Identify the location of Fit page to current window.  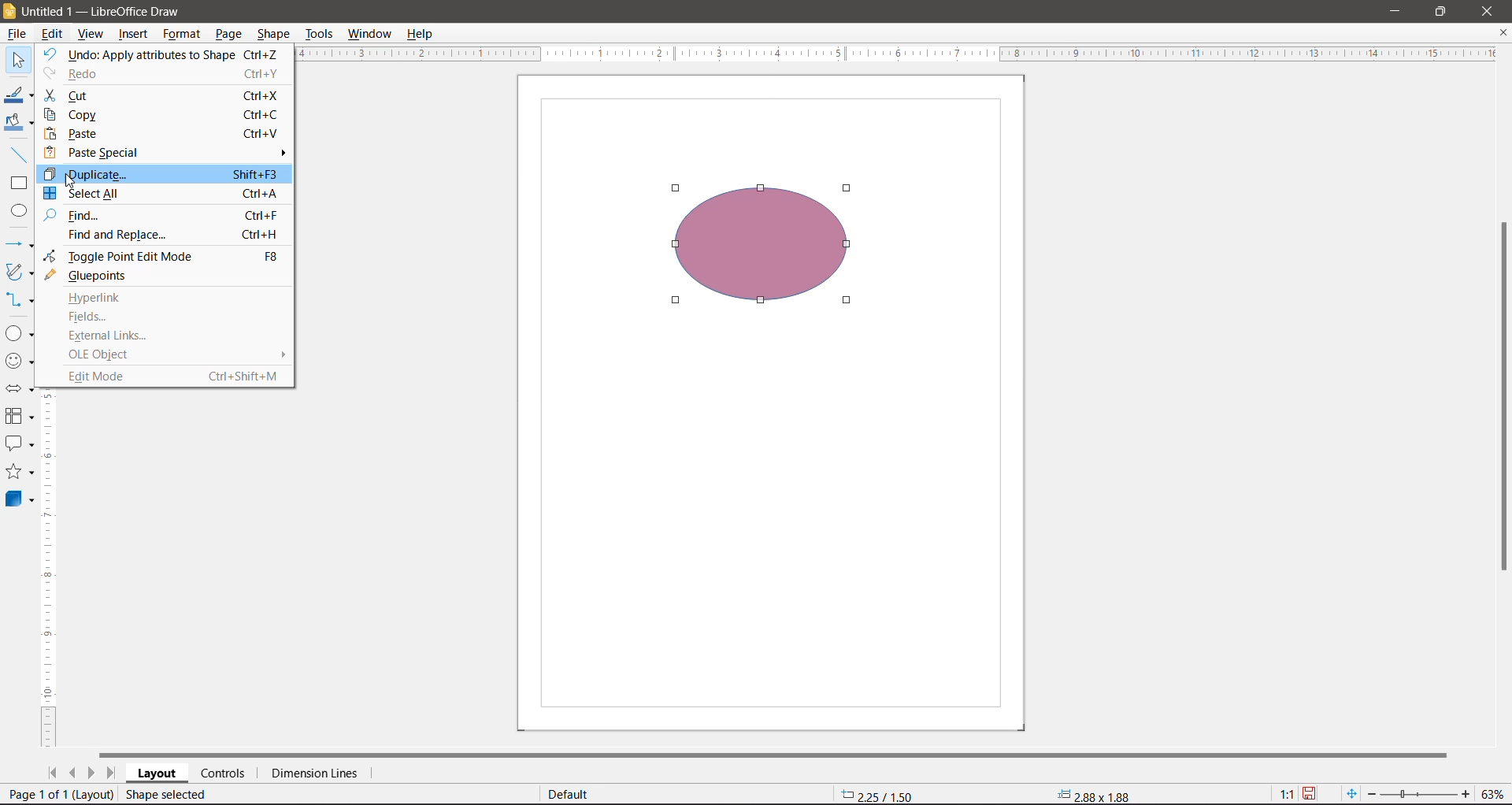
(1353, 794).